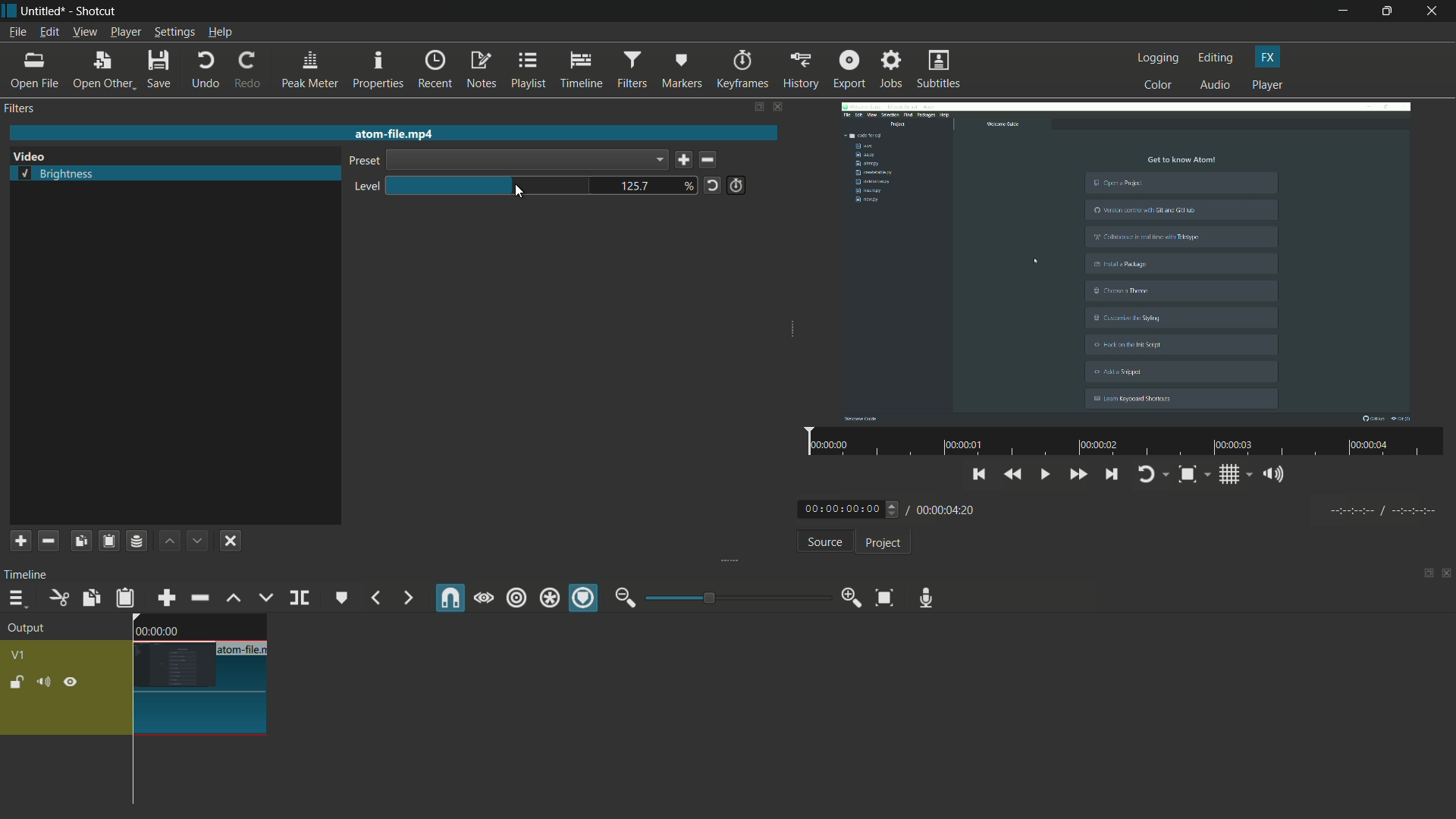 The width and height of the screenshot is (1456, 819). I want to click on markers, so click(682, 69).